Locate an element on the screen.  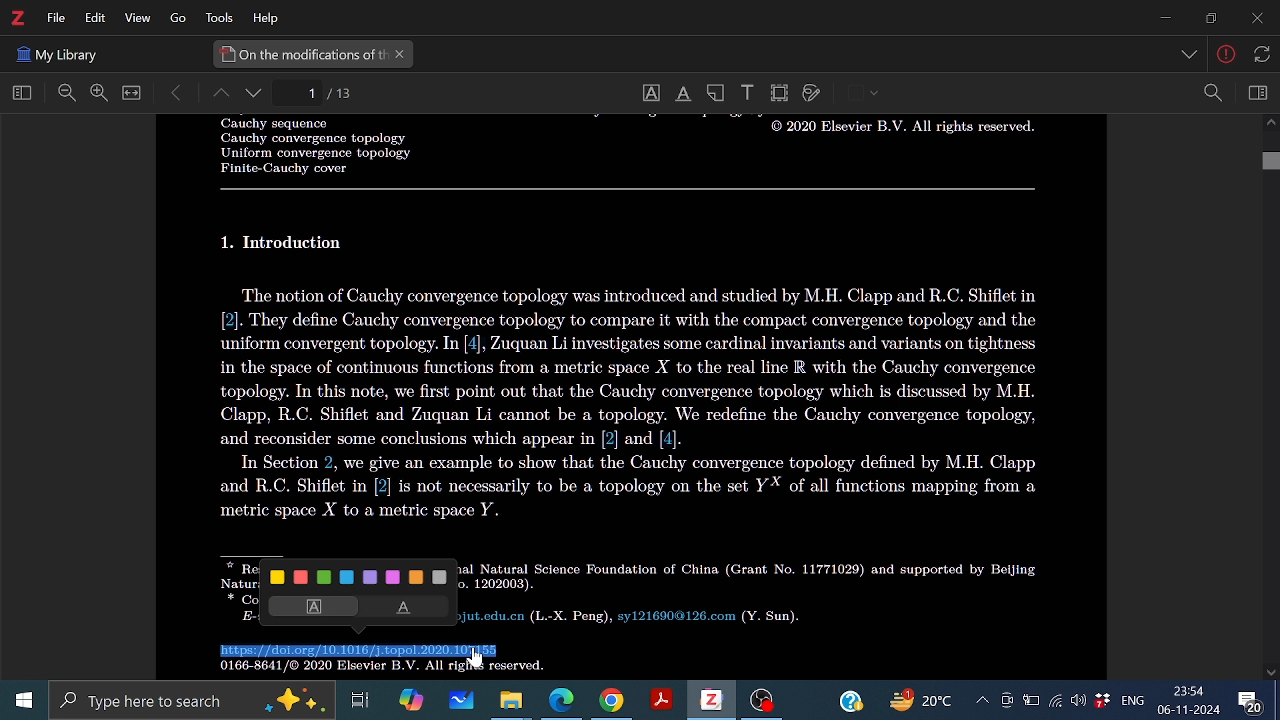
View is located at coordinates (135, 19).